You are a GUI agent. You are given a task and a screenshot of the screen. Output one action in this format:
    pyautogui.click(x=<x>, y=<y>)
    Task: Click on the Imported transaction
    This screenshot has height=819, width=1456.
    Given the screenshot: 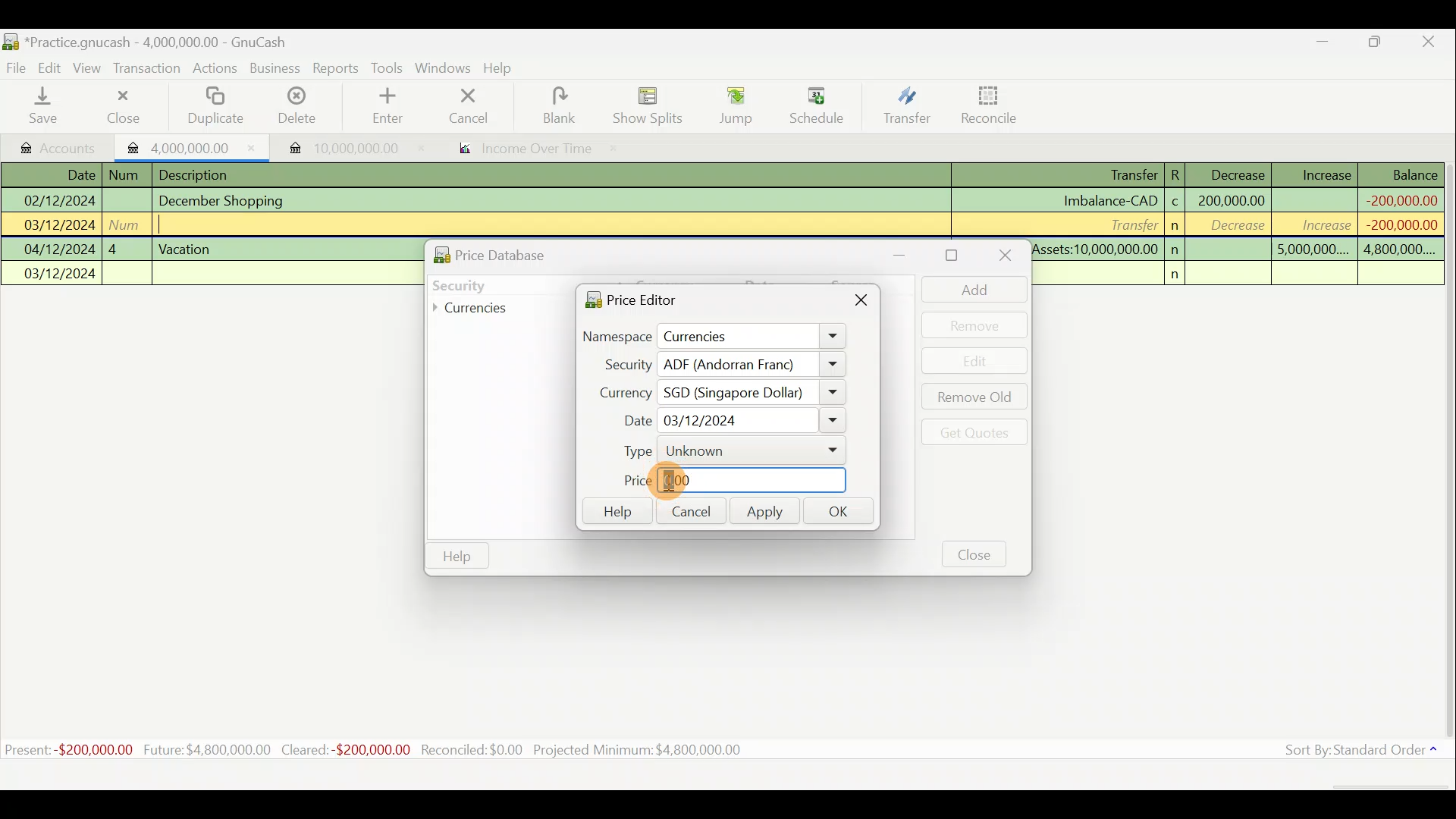 What is the action you would take?
    pyautogui.click(x=334, y=144)
    